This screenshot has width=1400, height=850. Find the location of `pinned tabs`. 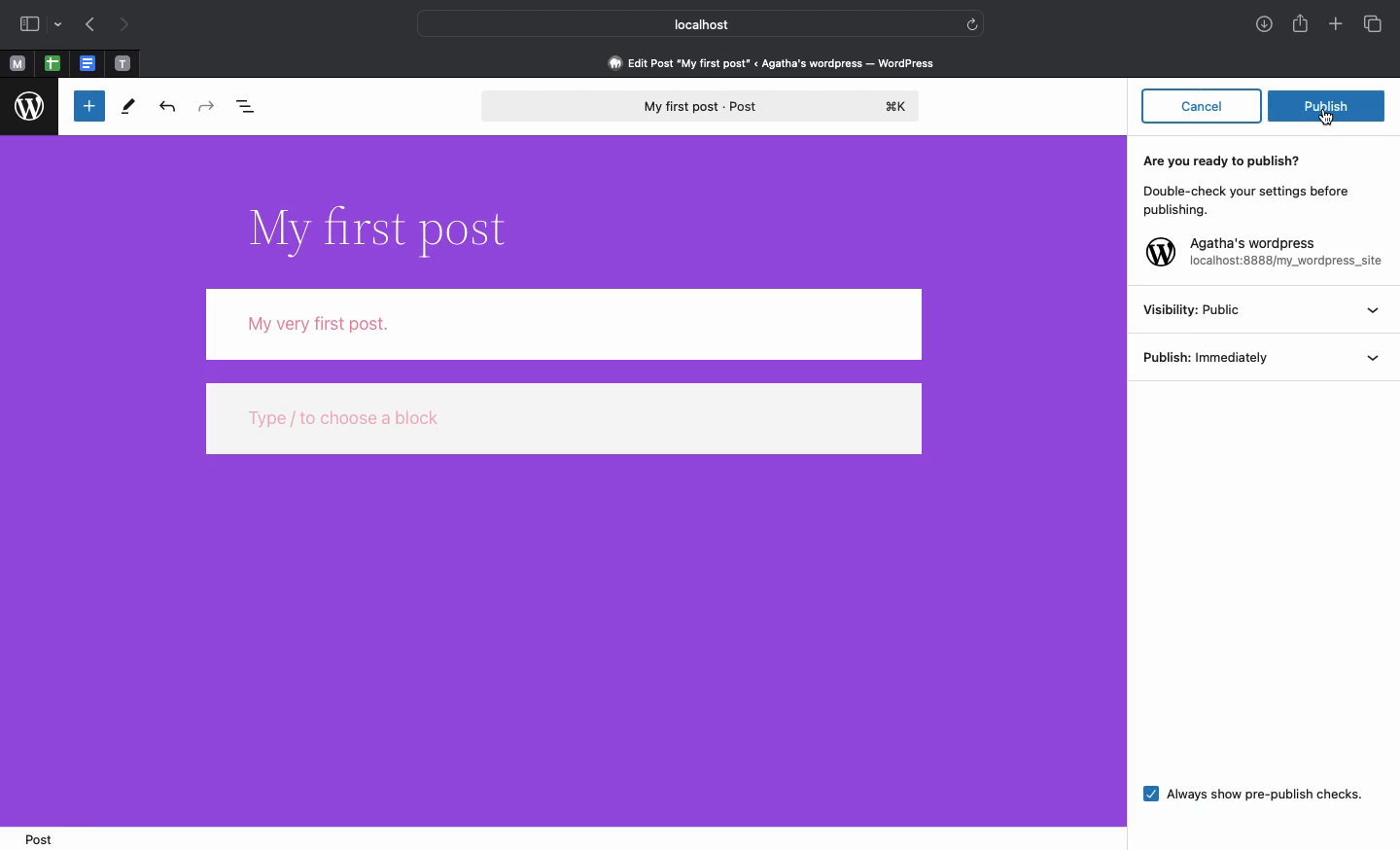

pinned tabs is located at coordinates (87, 64).